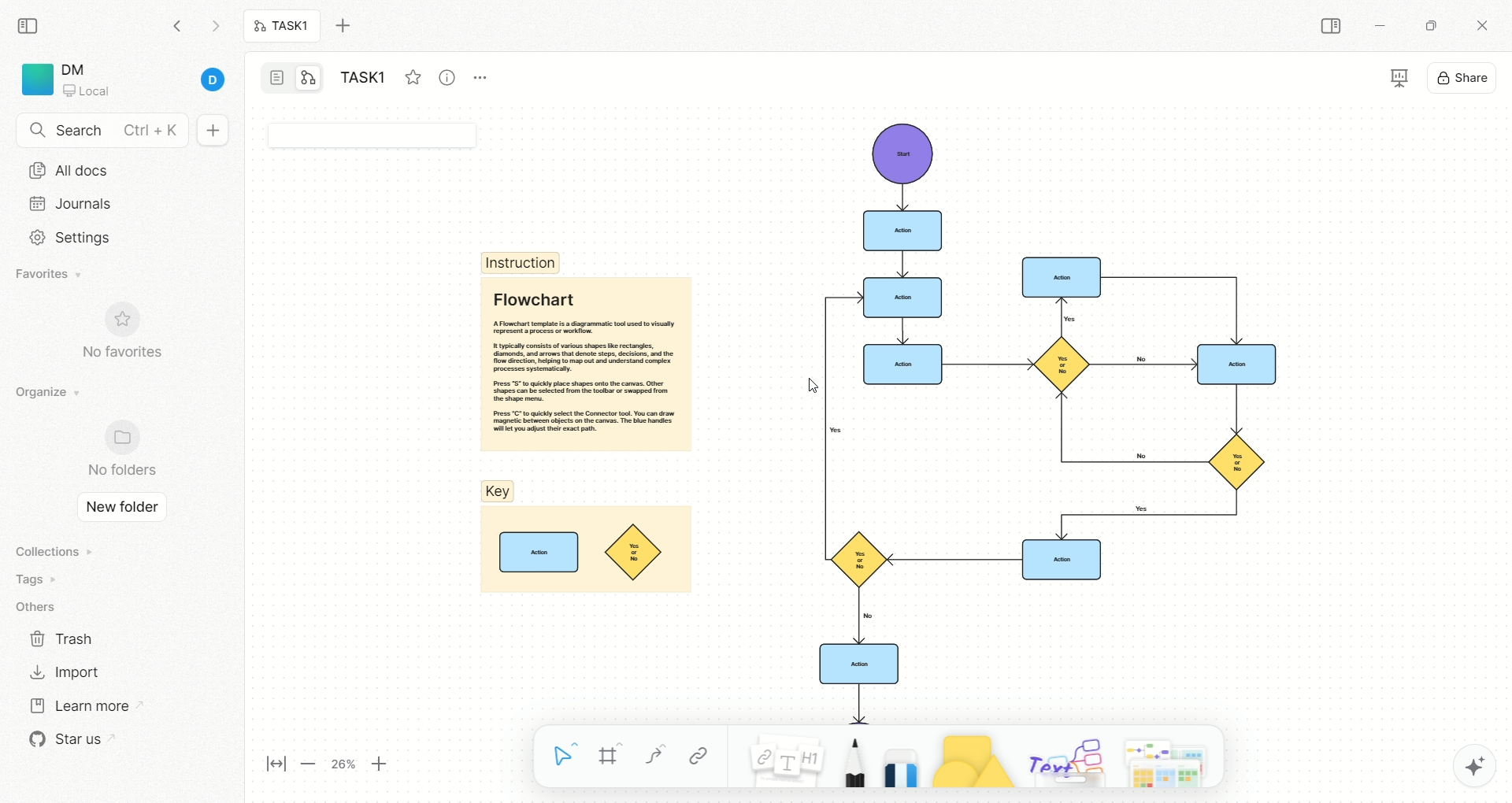  I want to click on task1, so click(283, 28).